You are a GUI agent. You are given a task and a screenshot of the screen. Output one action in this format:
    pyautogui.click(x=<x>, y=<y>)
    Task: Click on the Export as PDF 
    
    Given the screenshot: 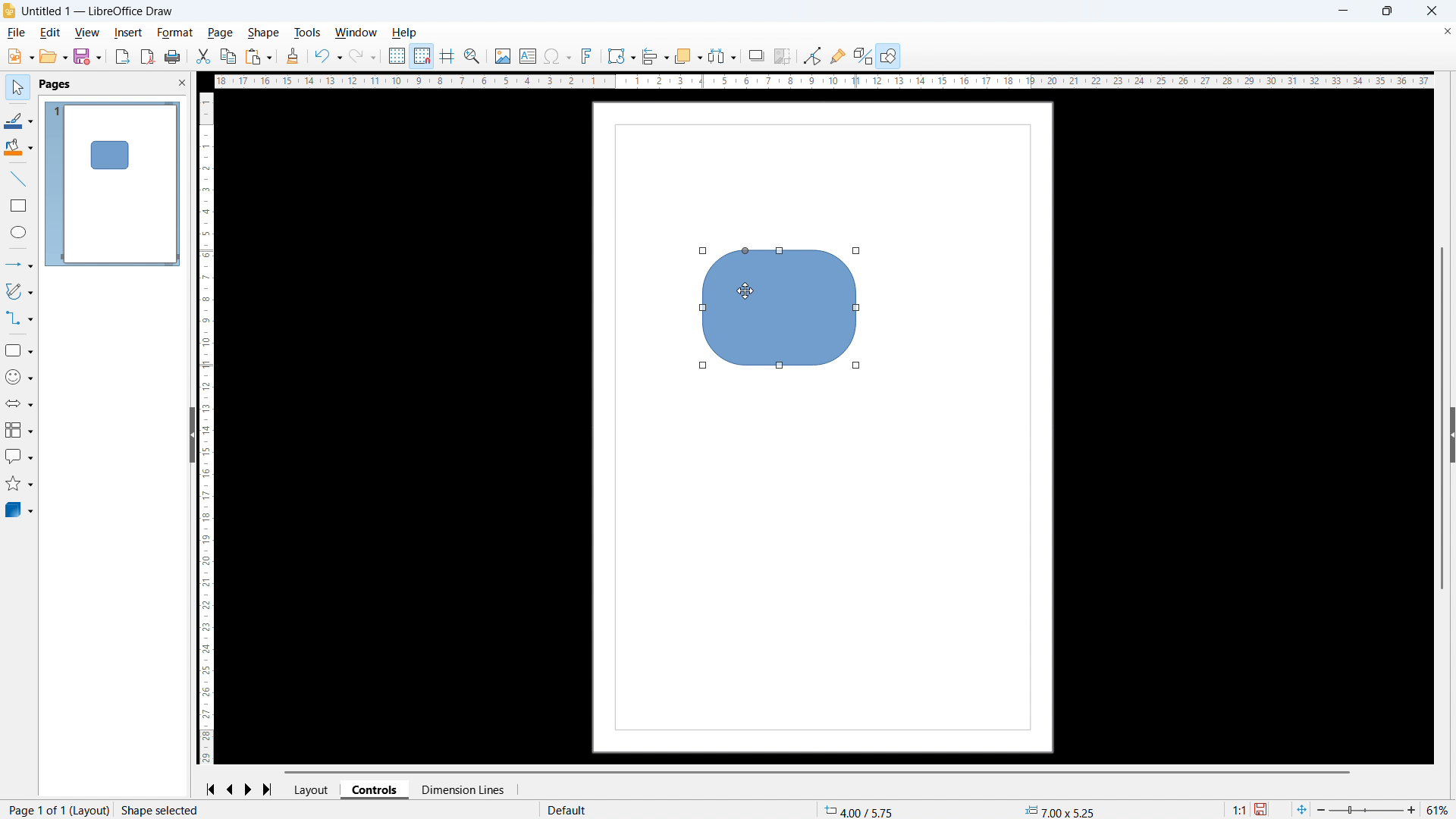 What is the action you would take?
    pyautogui.click(x=148, y=57)
    